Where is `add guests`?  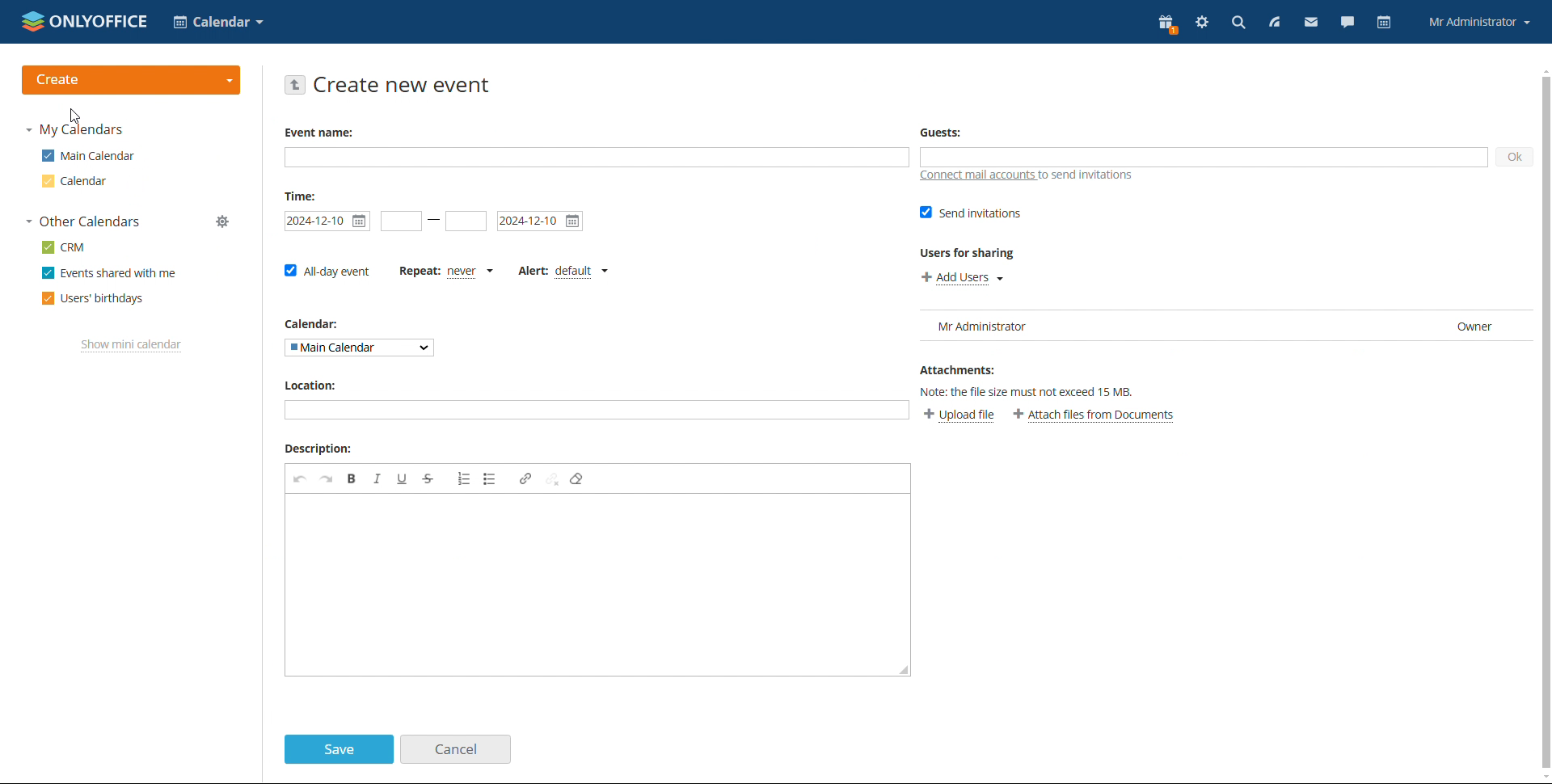
add guests is located at coordinates (1204, 158).